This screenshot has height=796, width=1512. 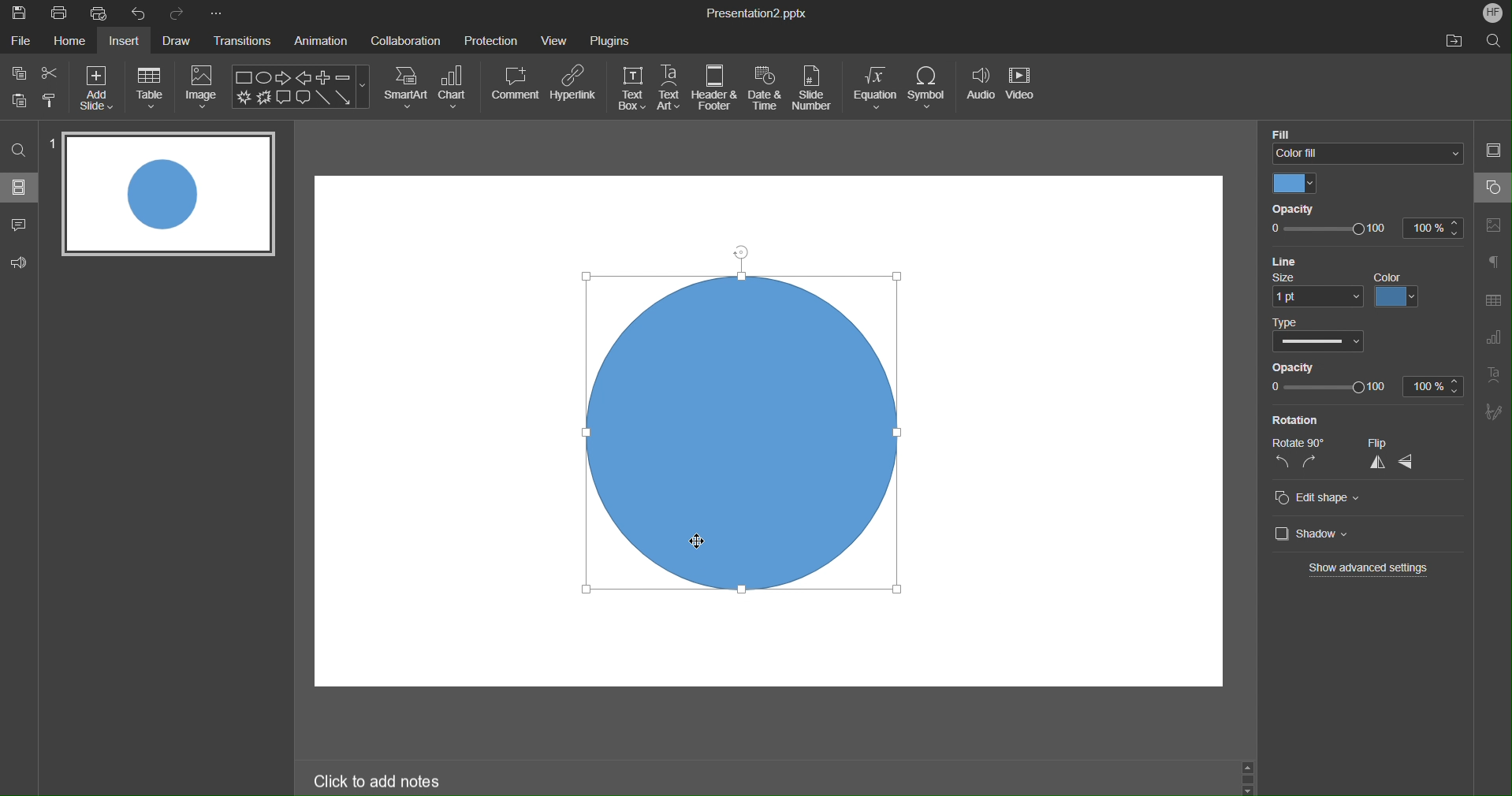 I want to click on Paragraphs, so click(x=1494, y=261).